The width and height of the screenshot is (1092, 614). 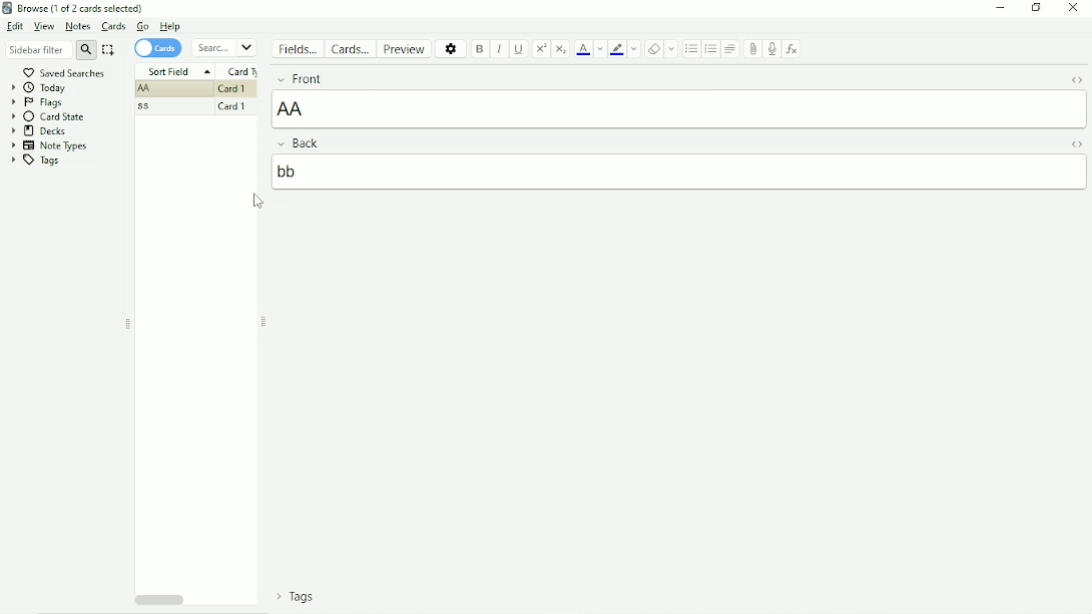 What do you see at coordinates (541, 49) in the screenshot?
I see `Superscript` at bounding box center [541, 49].